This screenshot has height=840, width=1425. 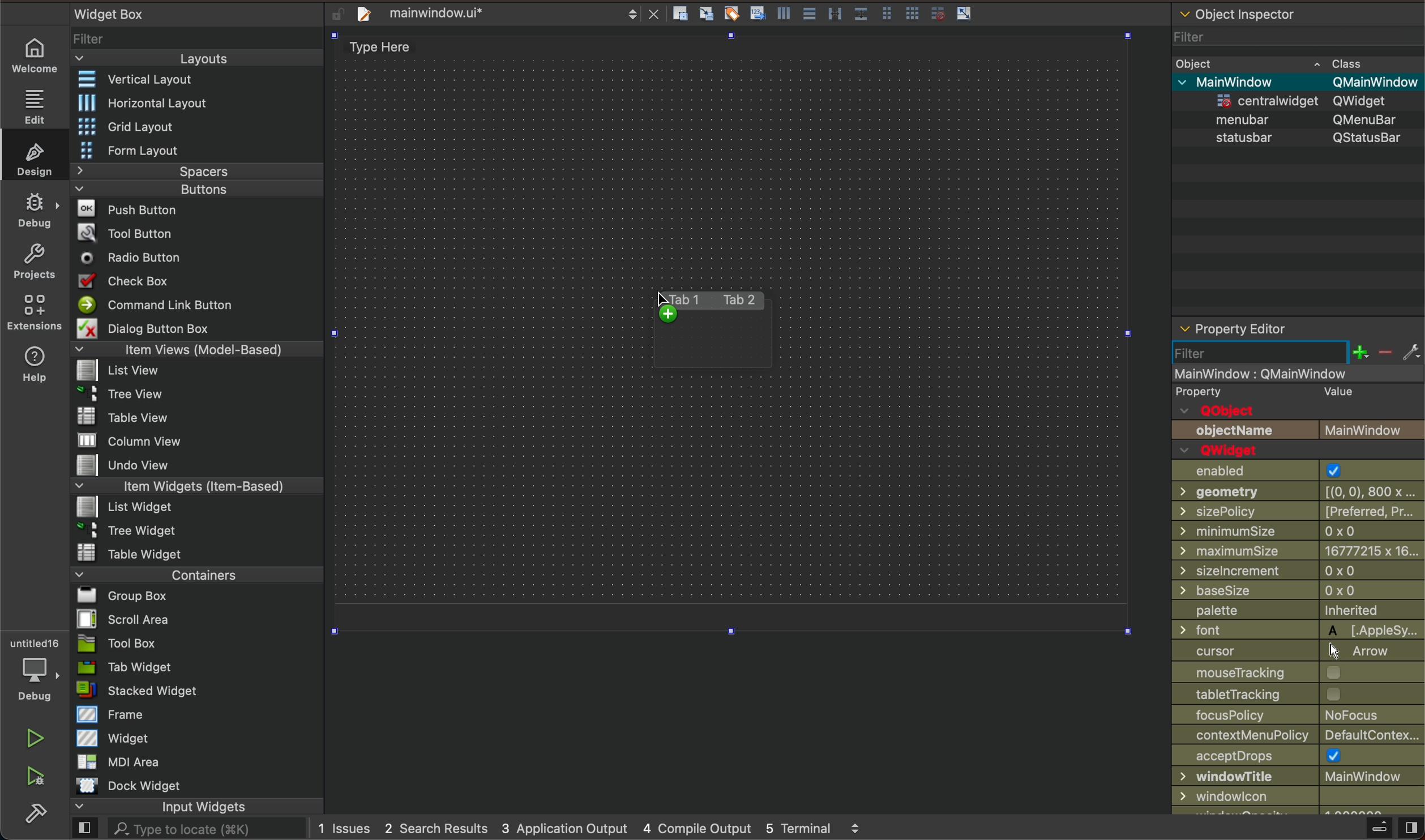 What do you see at coordinates (1300, 373) in the screenshot?
I see `mainwindow` at bounding box center [1300, 373].